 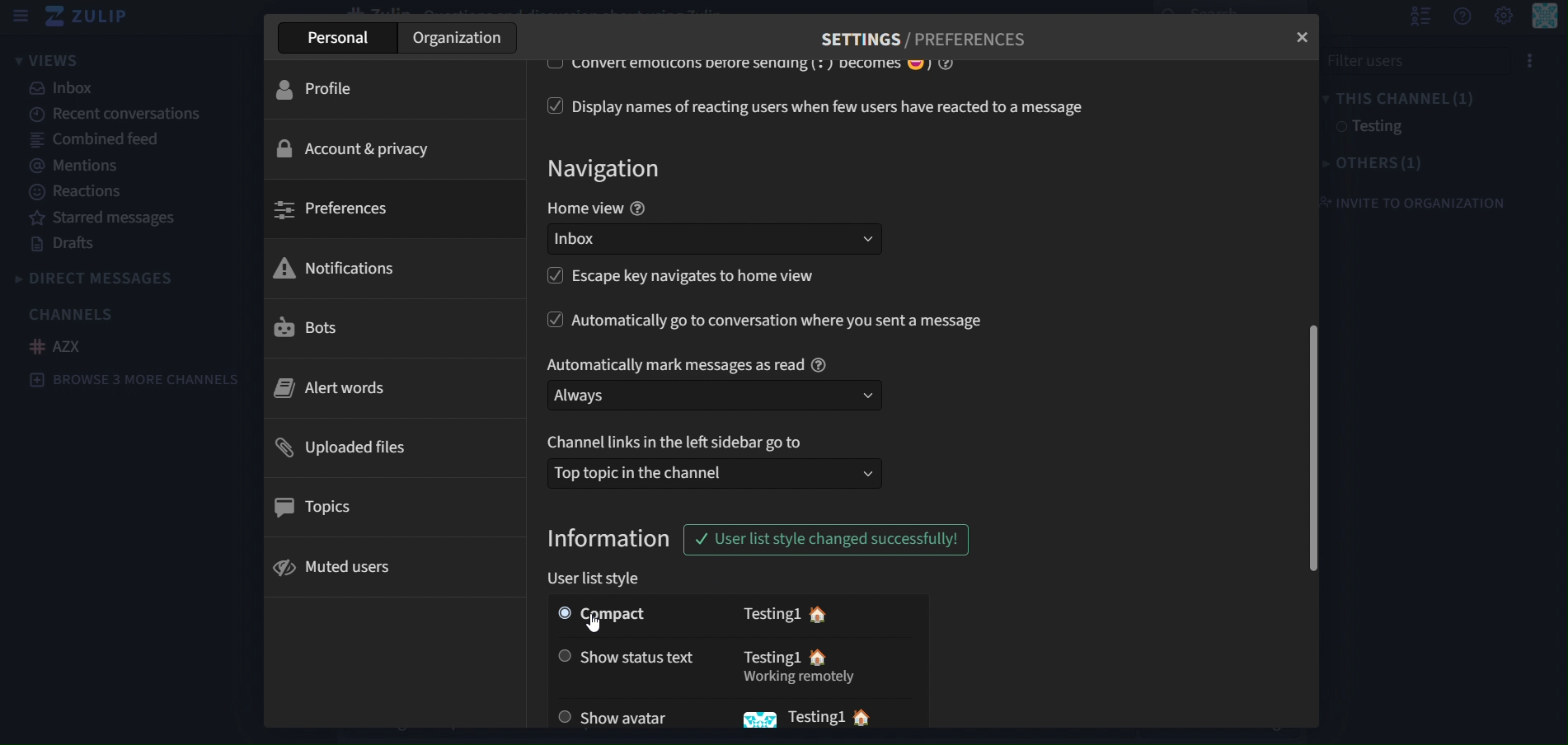 I want to click on top topic in the channel, so click(x=712, y=471).